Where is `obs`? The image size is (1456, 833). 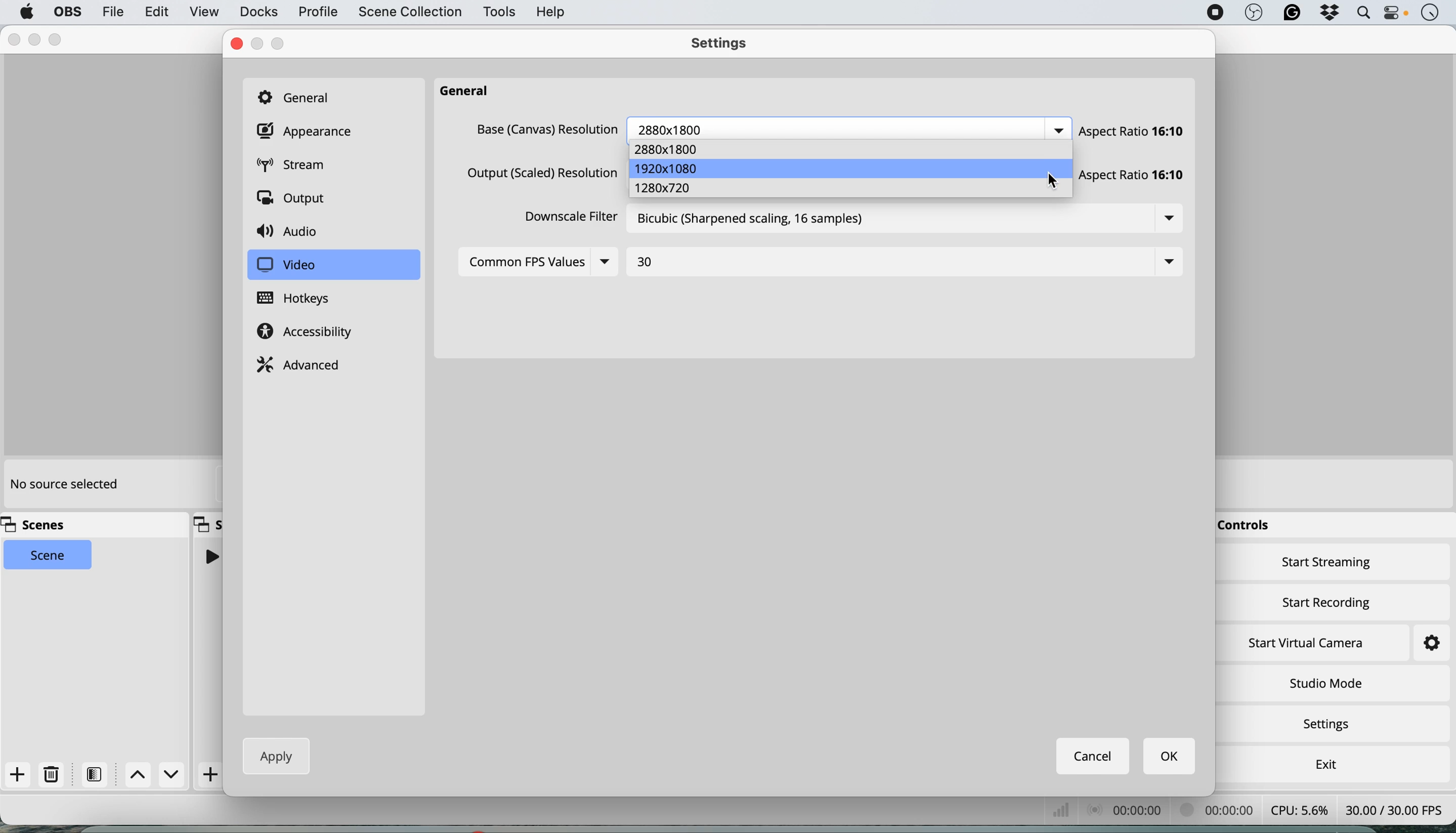
obs is located at coordinates (66, 12).